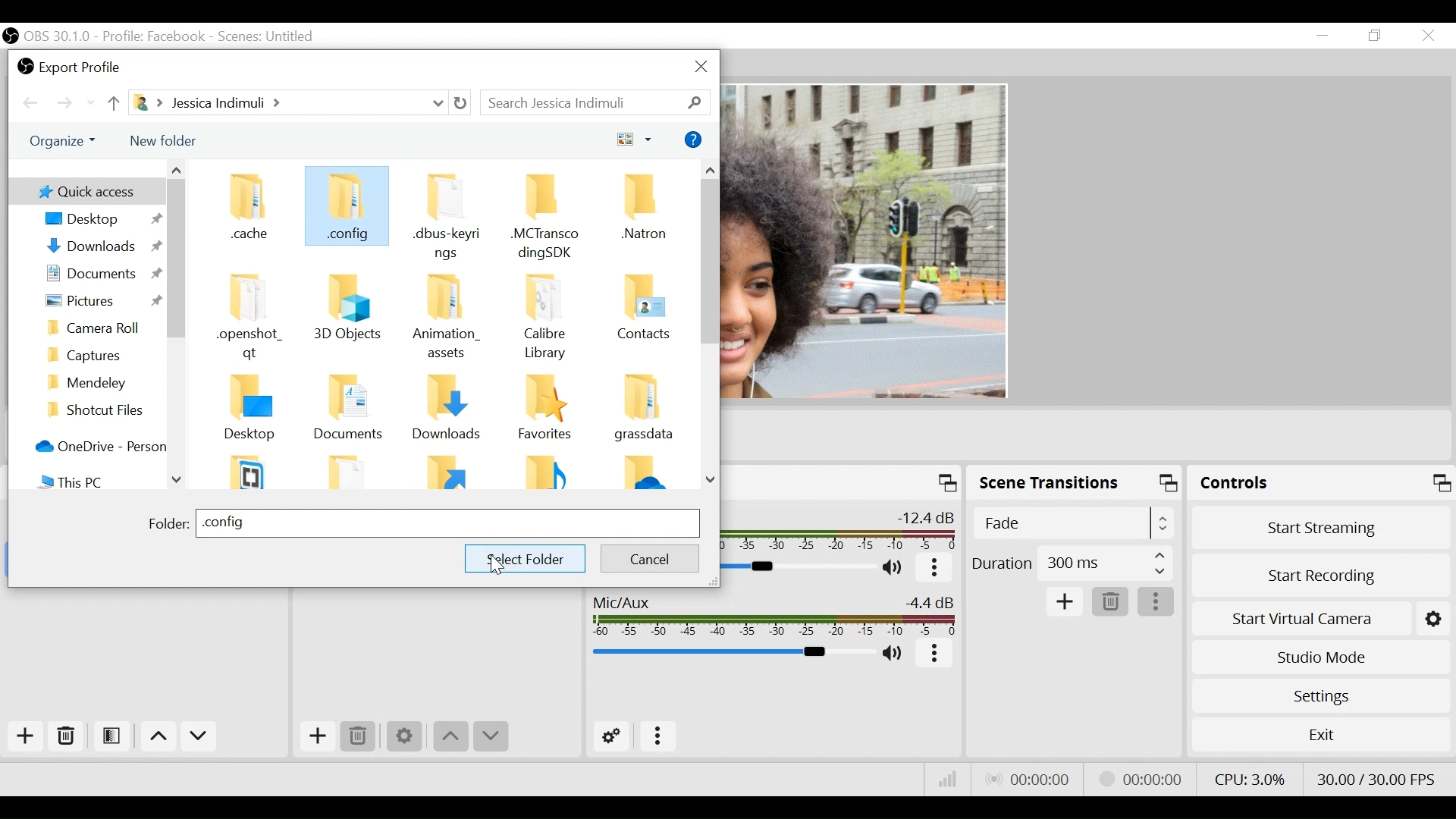 The width and height of the screenshot is (1456, 819). I want to click on Frame Per Second, so click(1377, 778).